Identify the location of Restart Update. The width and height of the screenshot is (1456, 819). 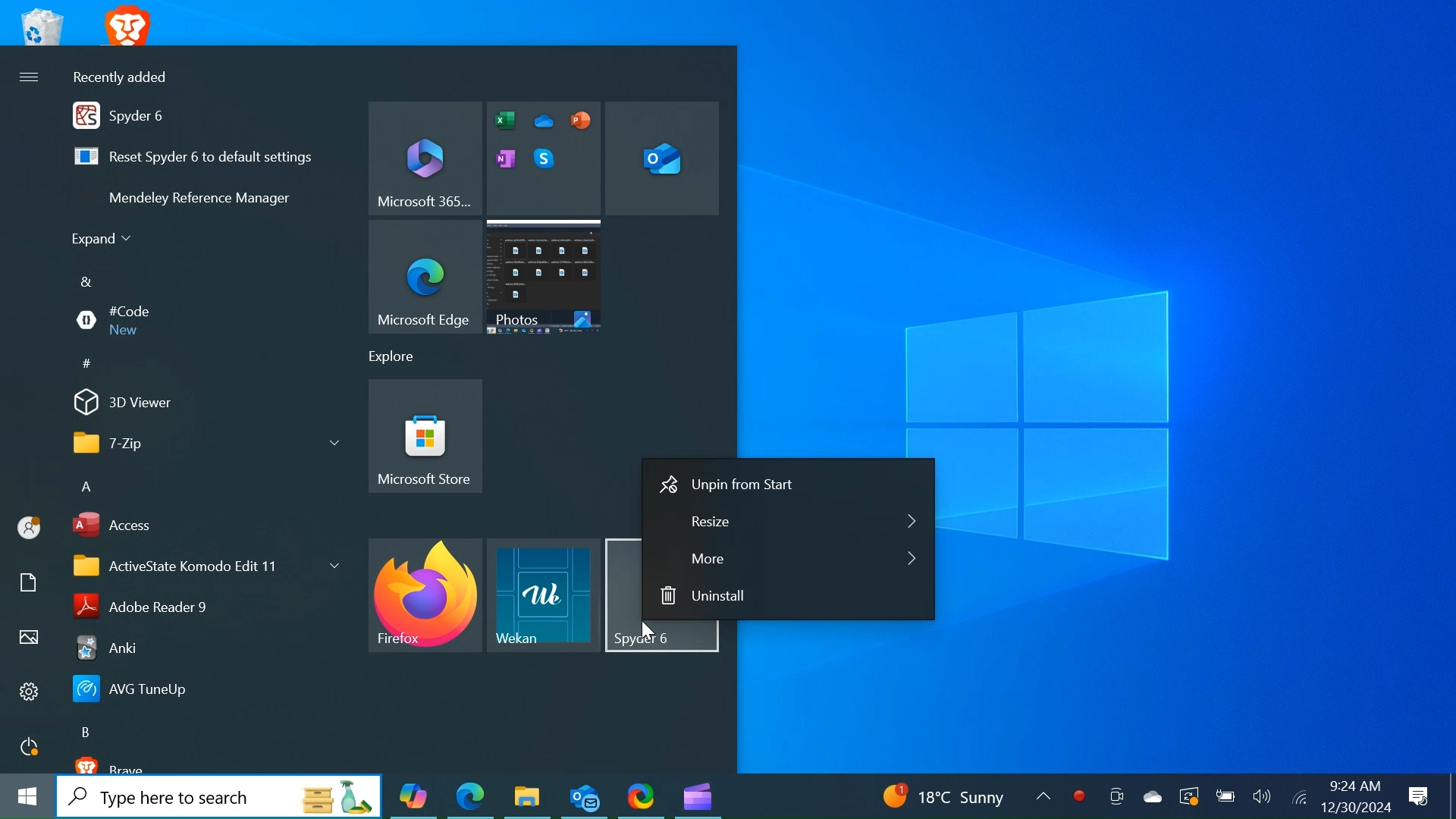
(1190, 794).